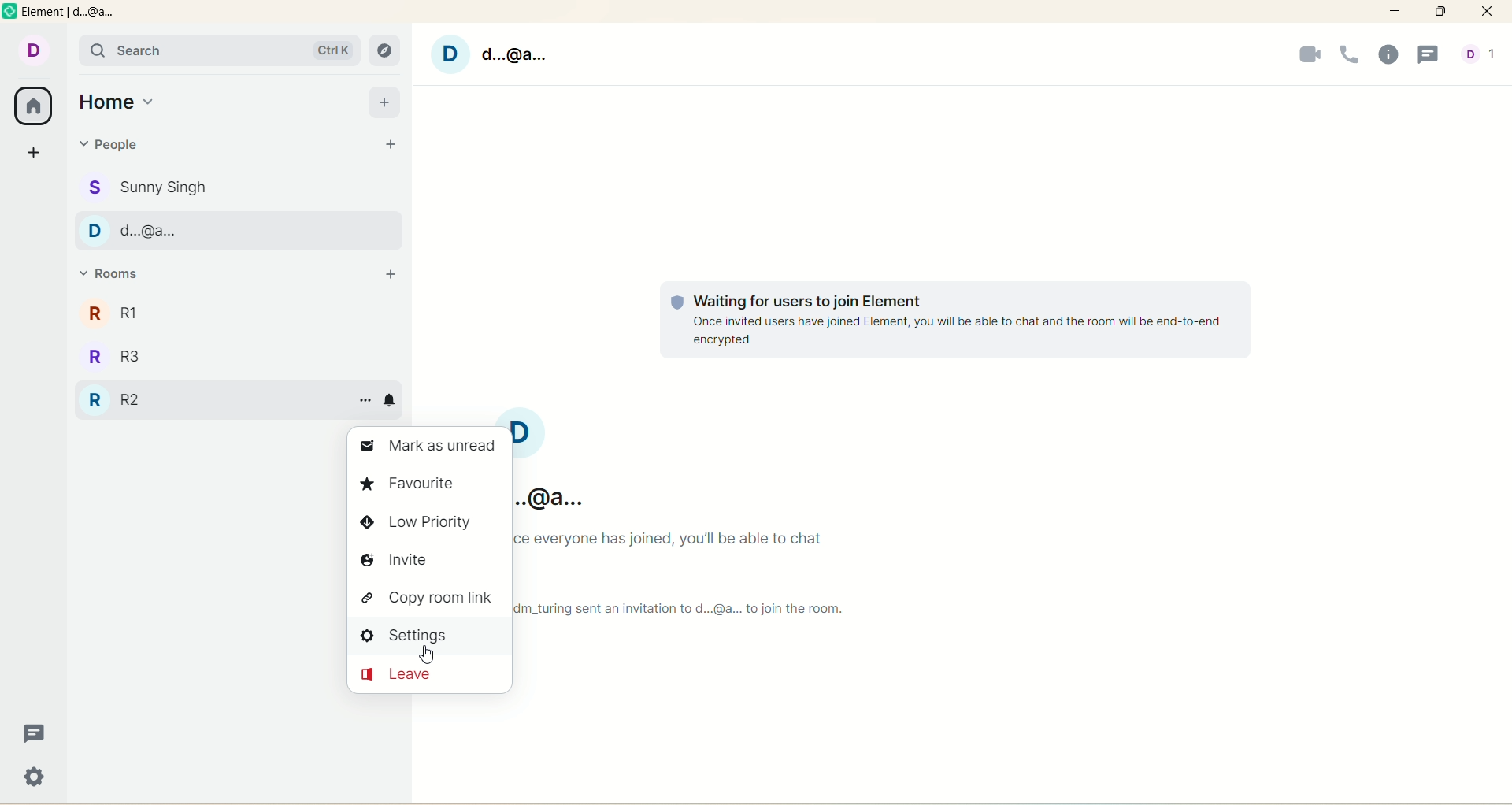 This screenshot has height=805, width=1512. Describe the element at coordinates (418, 657) in the screenshot. I see `cursor` at that location.